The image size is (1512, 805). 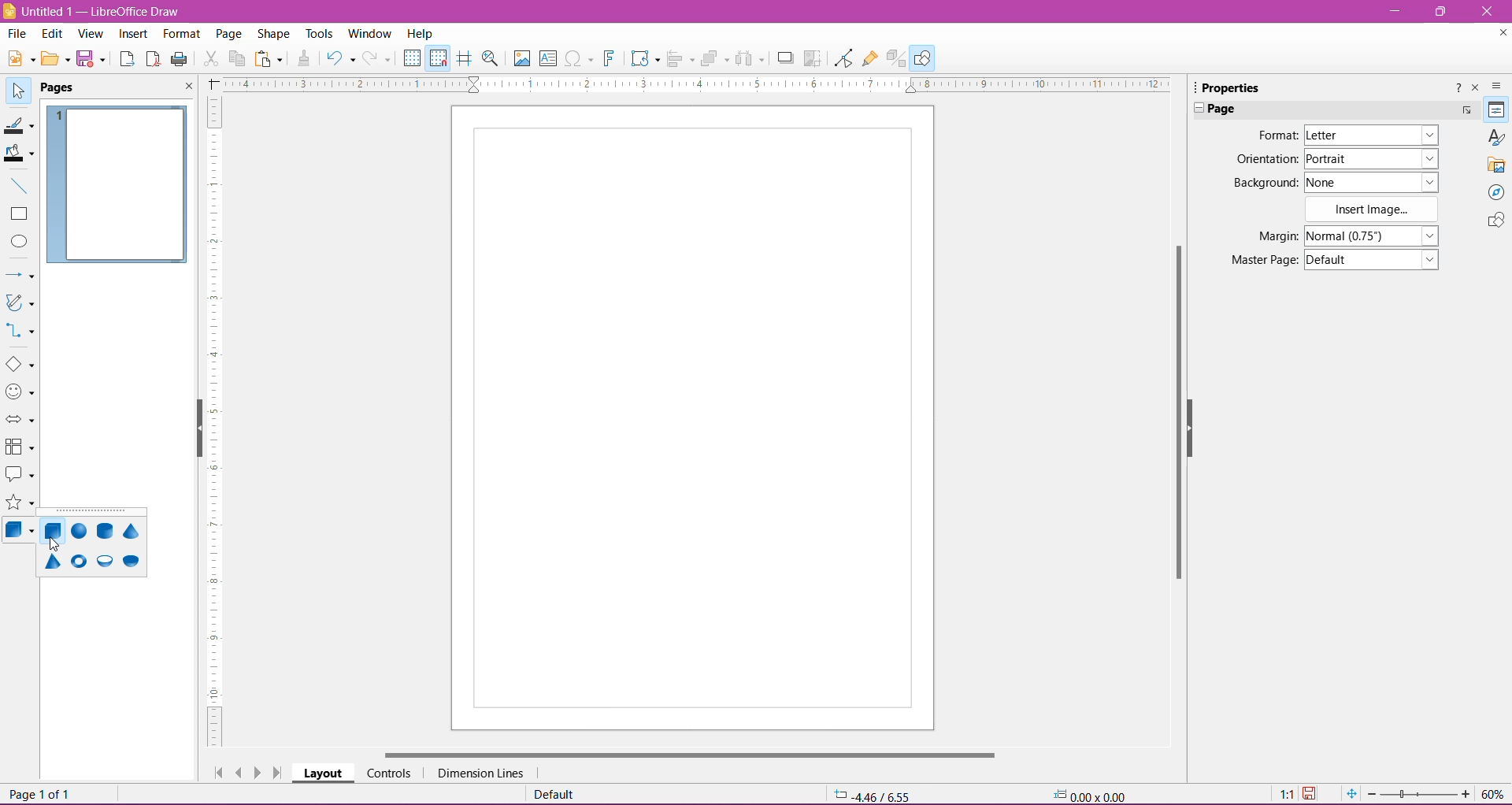 What do you see at coordinates (421, 33) in the screenshot?
I see `Help` at bounding box center [421, 33].